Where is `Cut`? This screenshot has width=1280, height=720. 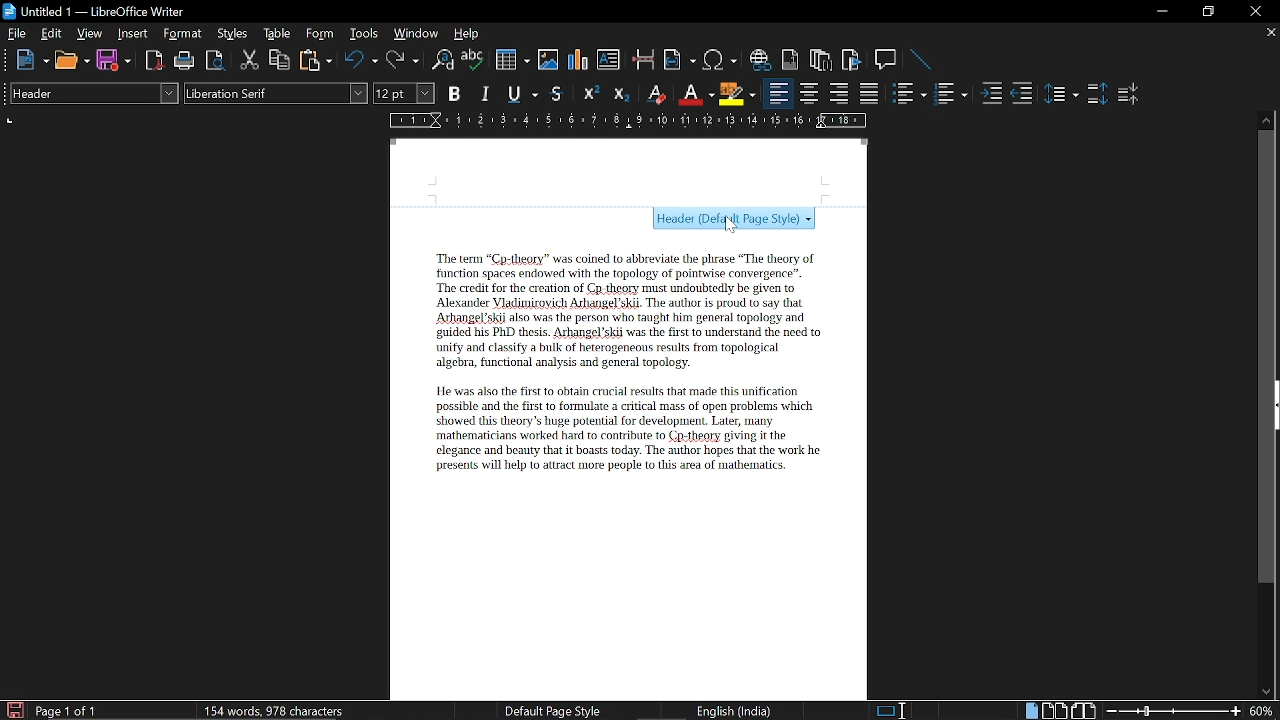
Cut is located at coordinates (250, 60).